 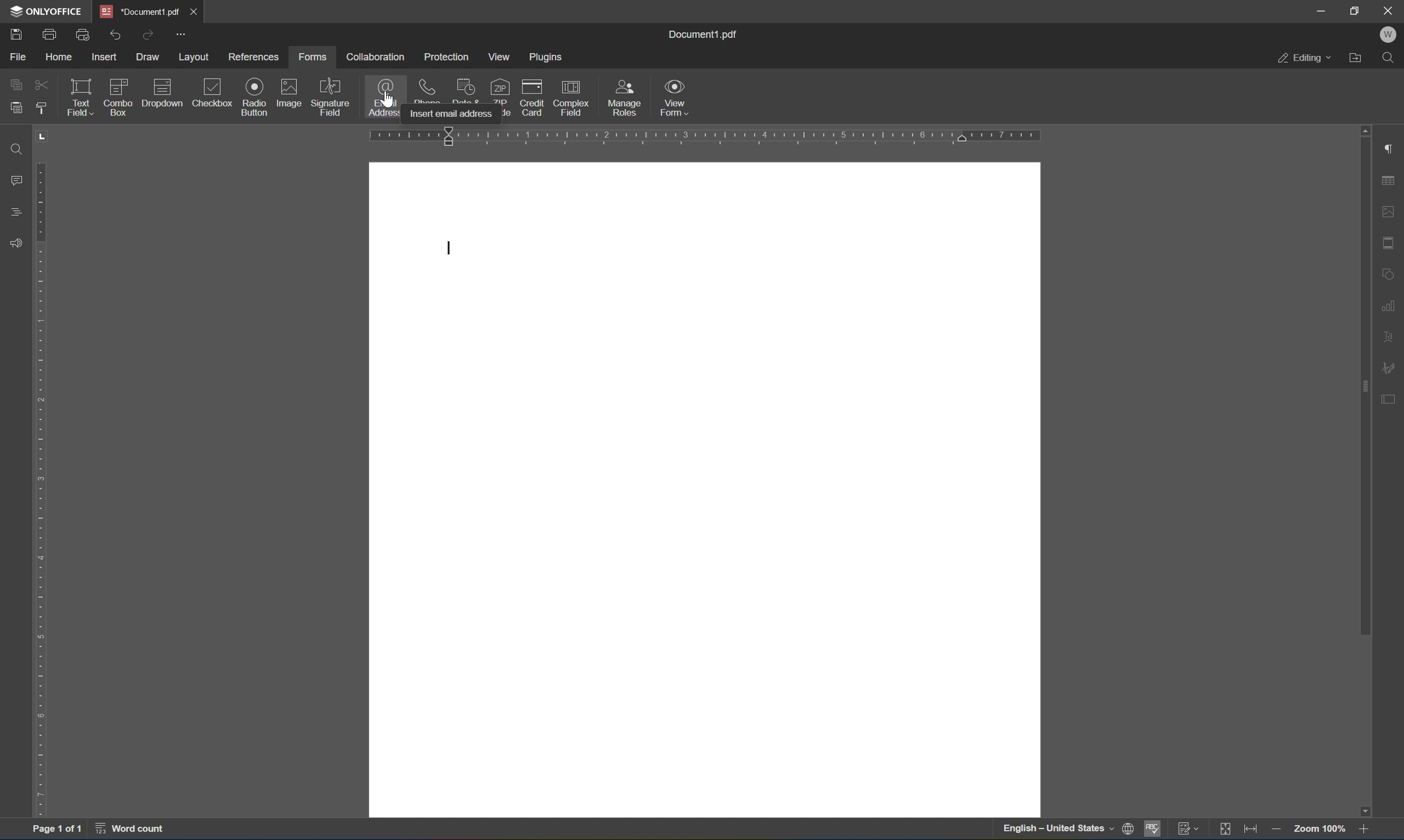 What do you see at coordinates (426, 88) in the screenshot?
I see `phone number` at bounding box center [426, 88].